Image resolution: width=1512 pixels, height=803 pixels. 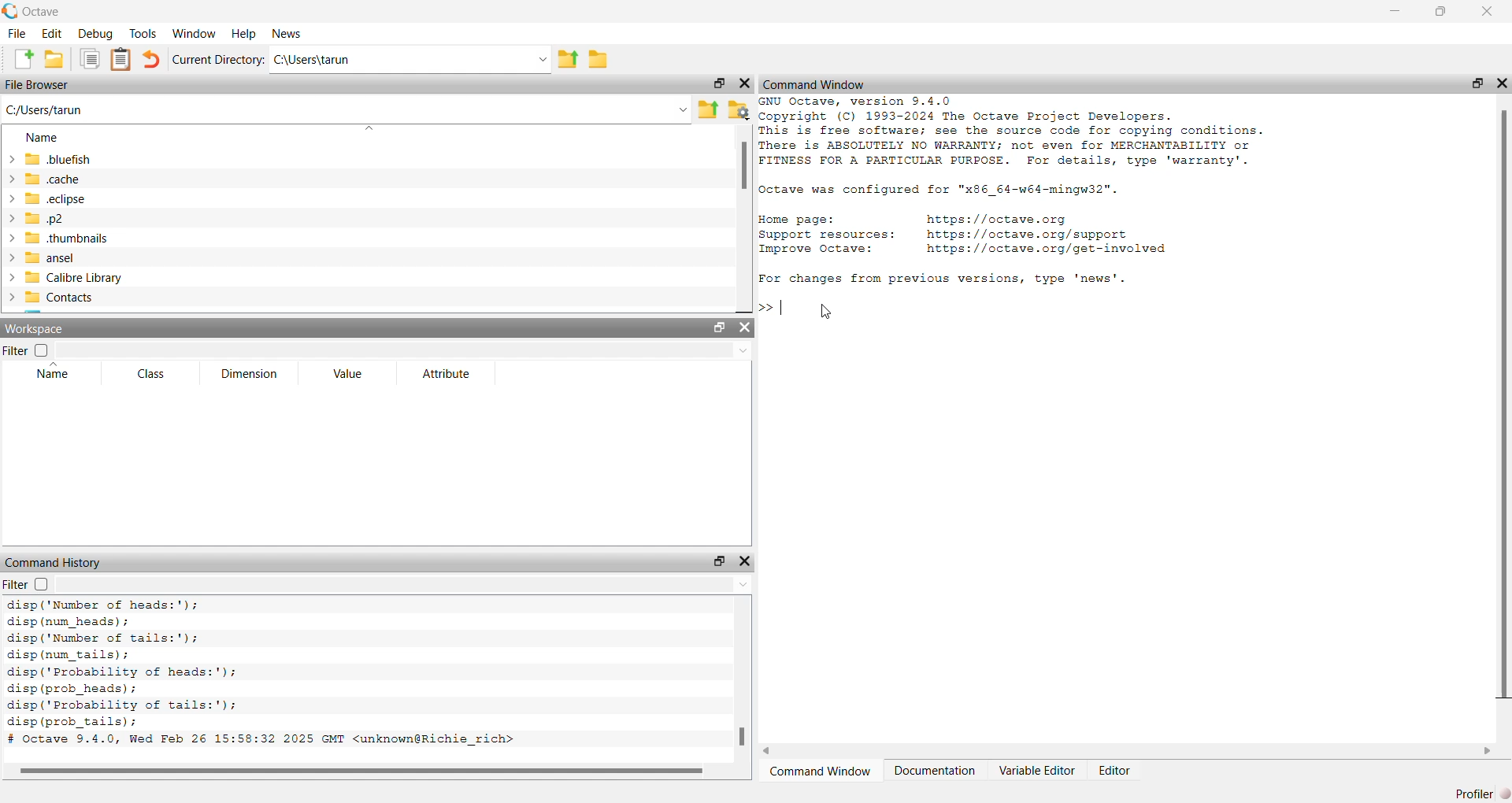 I want to click on disp ('Number of heads:');

disp (num_heads) ;

disp ('Number of tails:');

disp (num_tails);

disp('Probability of heads:');

disp (prob_heads) ;

disp(' Probability of tails:');

disp (prob_tails);

# Octave 9.4.0, Wed Feb 26 15:58:32 2025 GMT <unknown@Richie_rich>, so click(x=265, y=673).